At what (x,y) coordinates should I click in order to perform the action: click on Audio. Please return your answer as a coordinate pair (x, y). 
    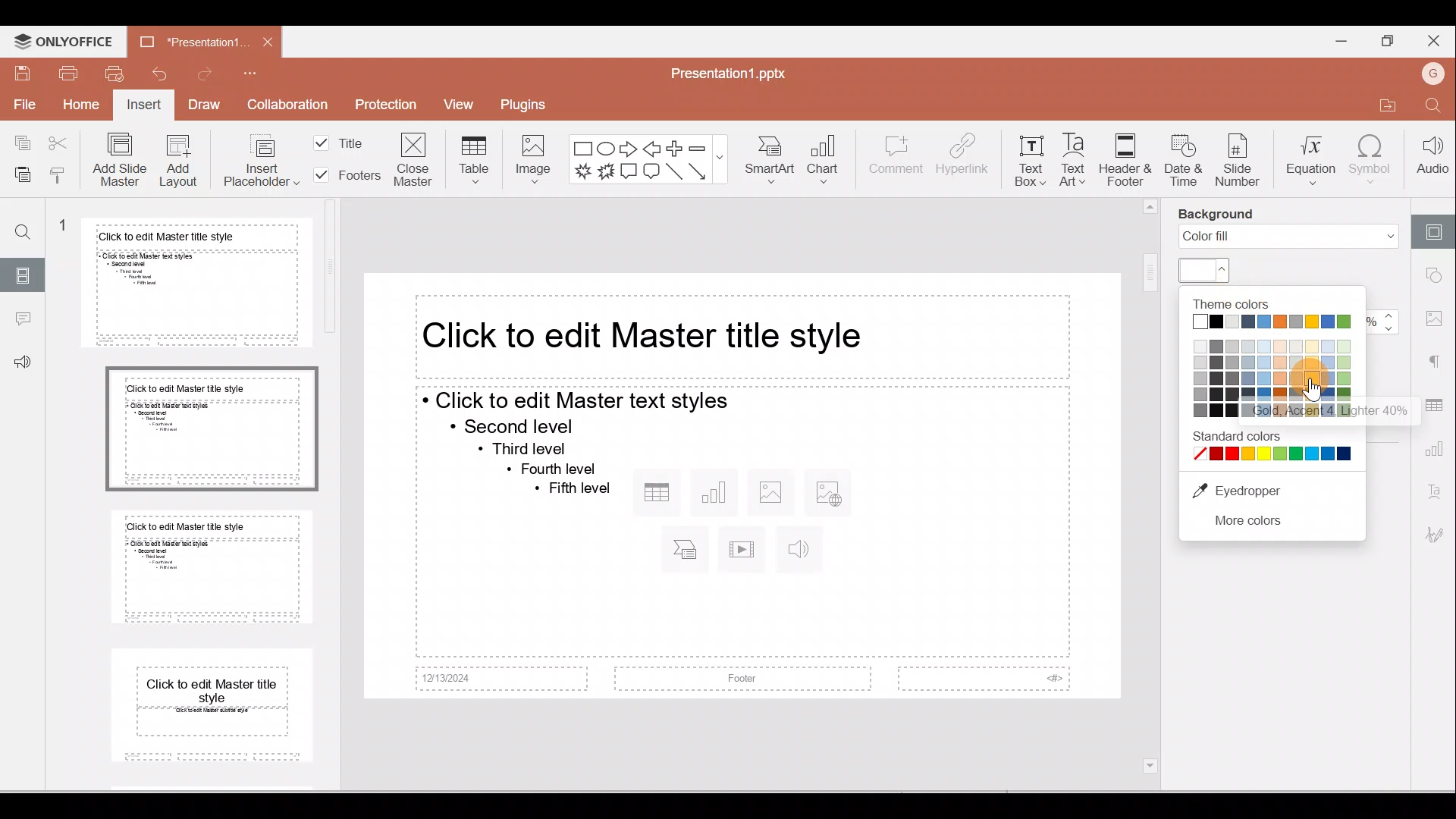
    Looking at the image, I should click on (1432, 159).